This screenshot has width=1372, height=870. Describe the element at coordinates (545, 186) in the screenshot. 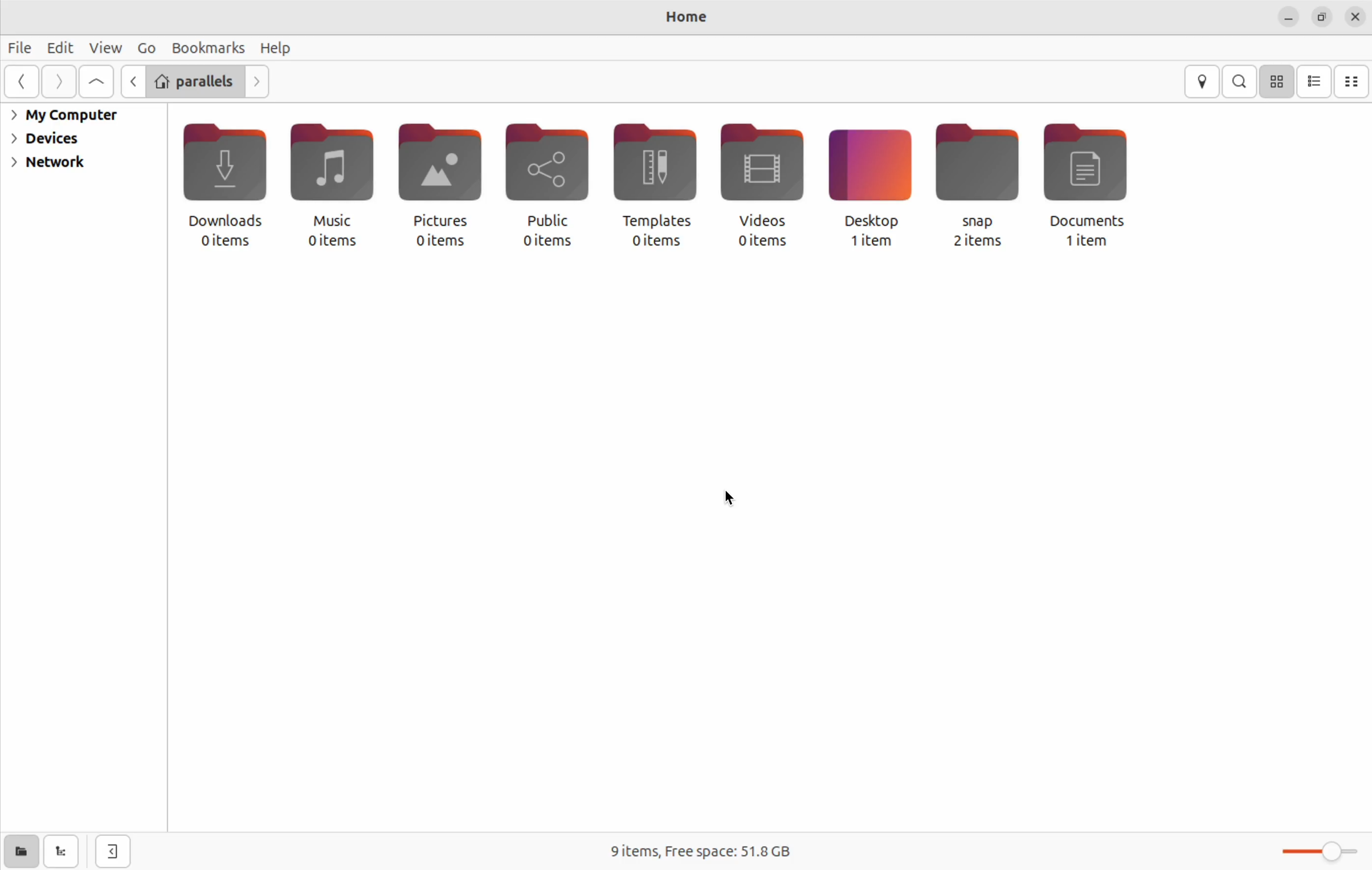

I see `public 0 items` at that location.